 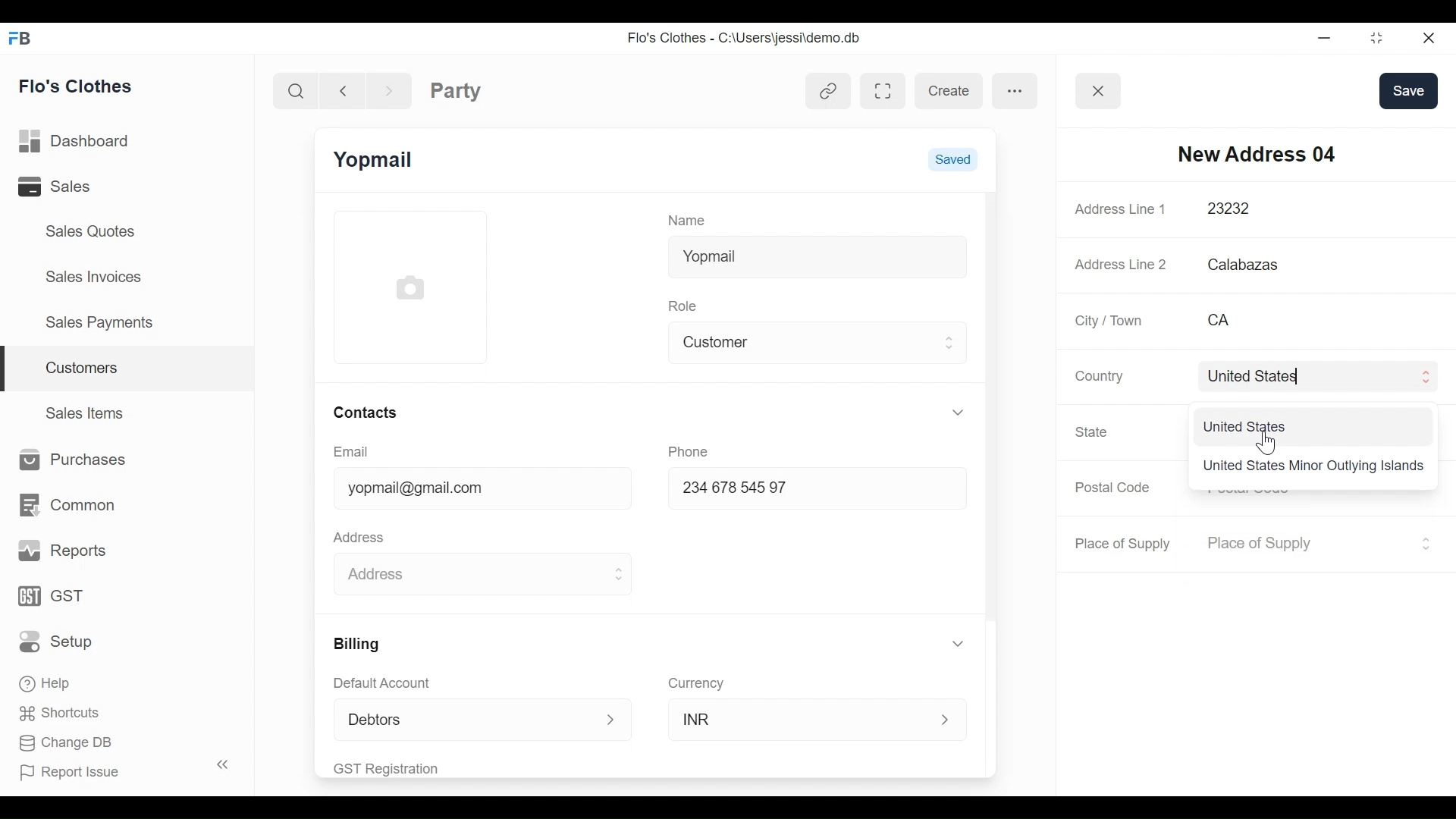 I want to click on Email, so click(x=352, y=452).